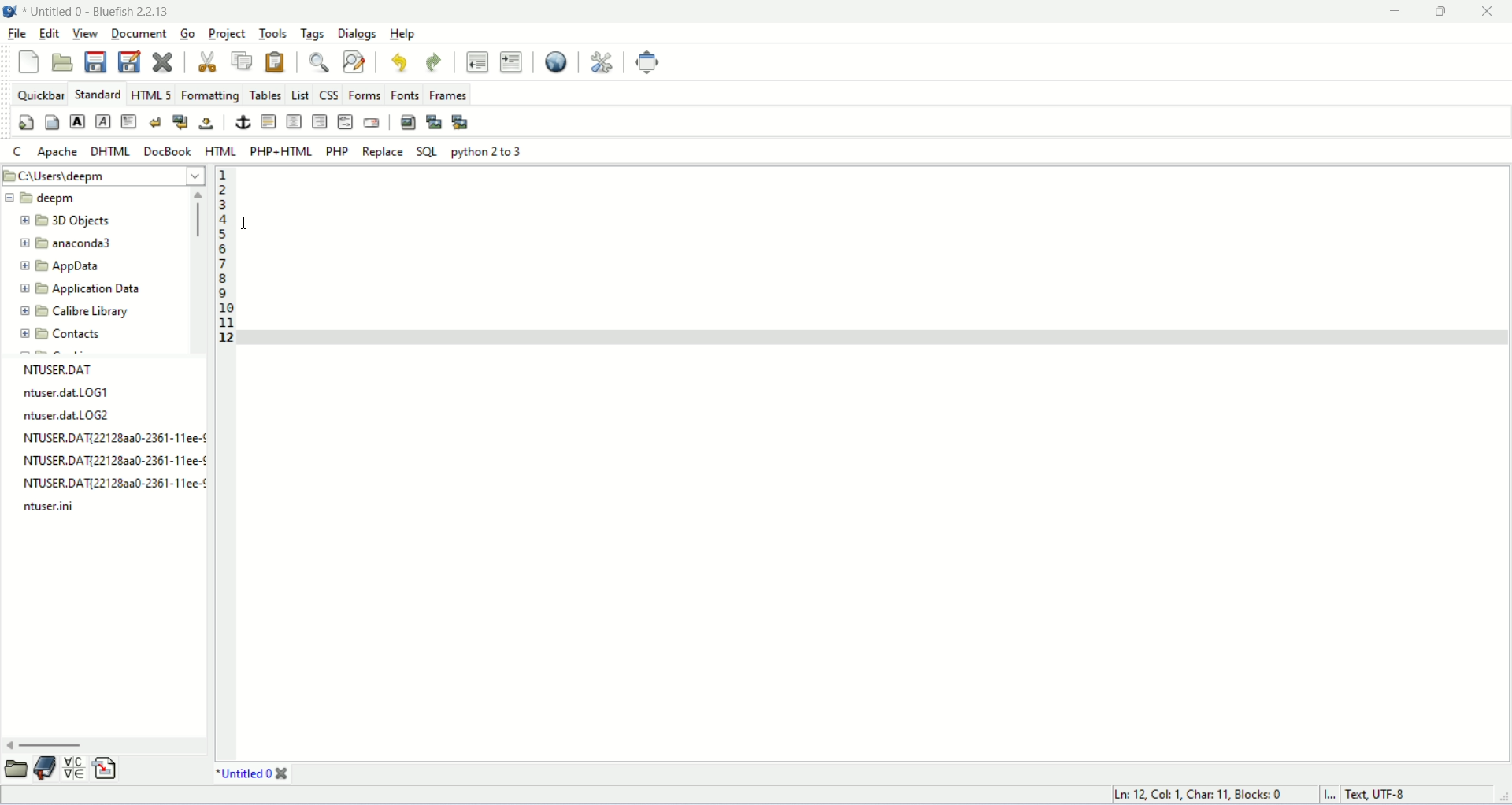 The width and height of the screenshot is (1512, 805). What do you see at coordinates (282, 151) in the screenshot?
I see `PHP+HTML` at bounding box center [282, 151].